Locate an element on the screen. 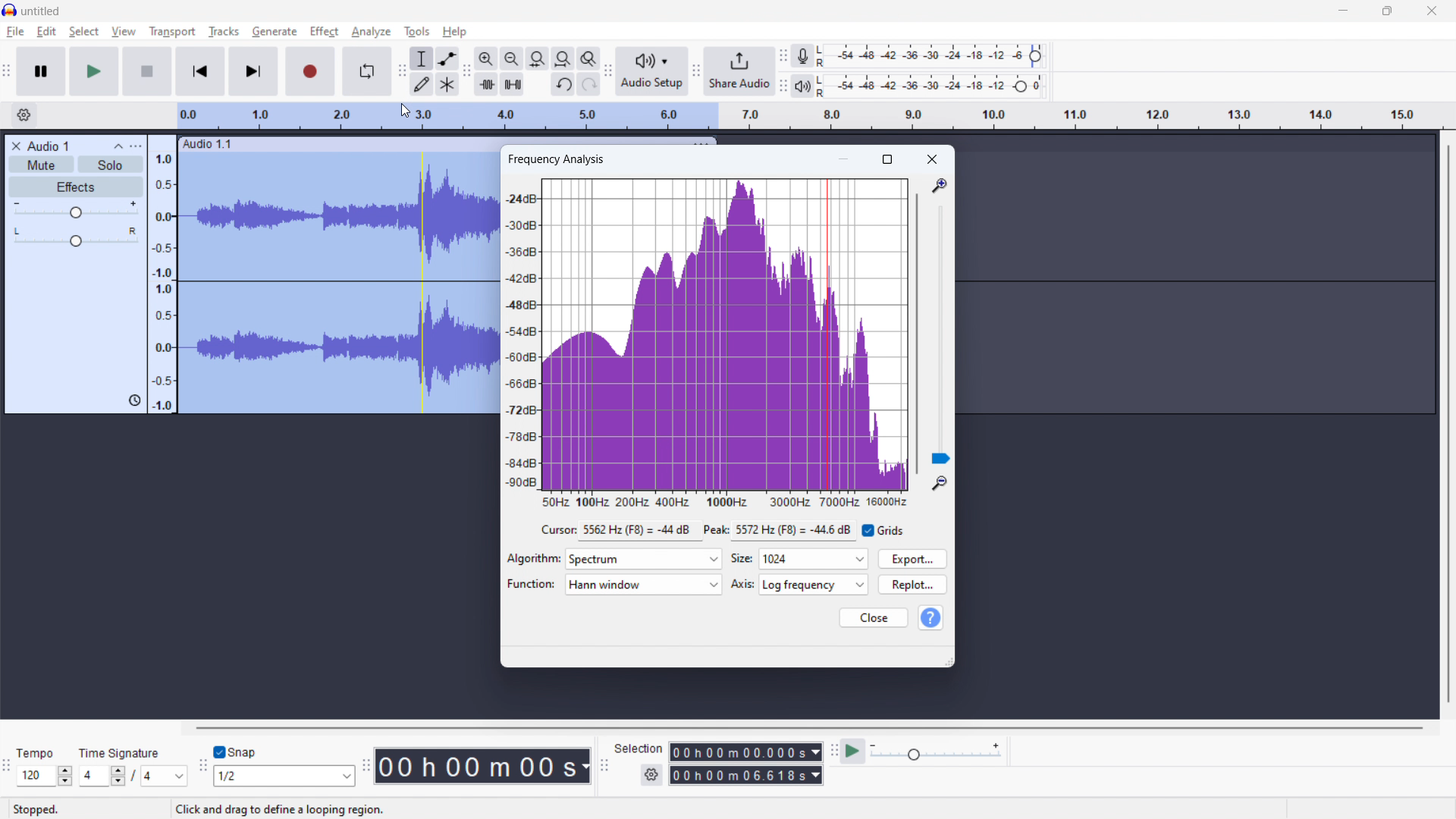 This screenshot has height=819, width=1456. audio setup is located at coordinates (608, 72).